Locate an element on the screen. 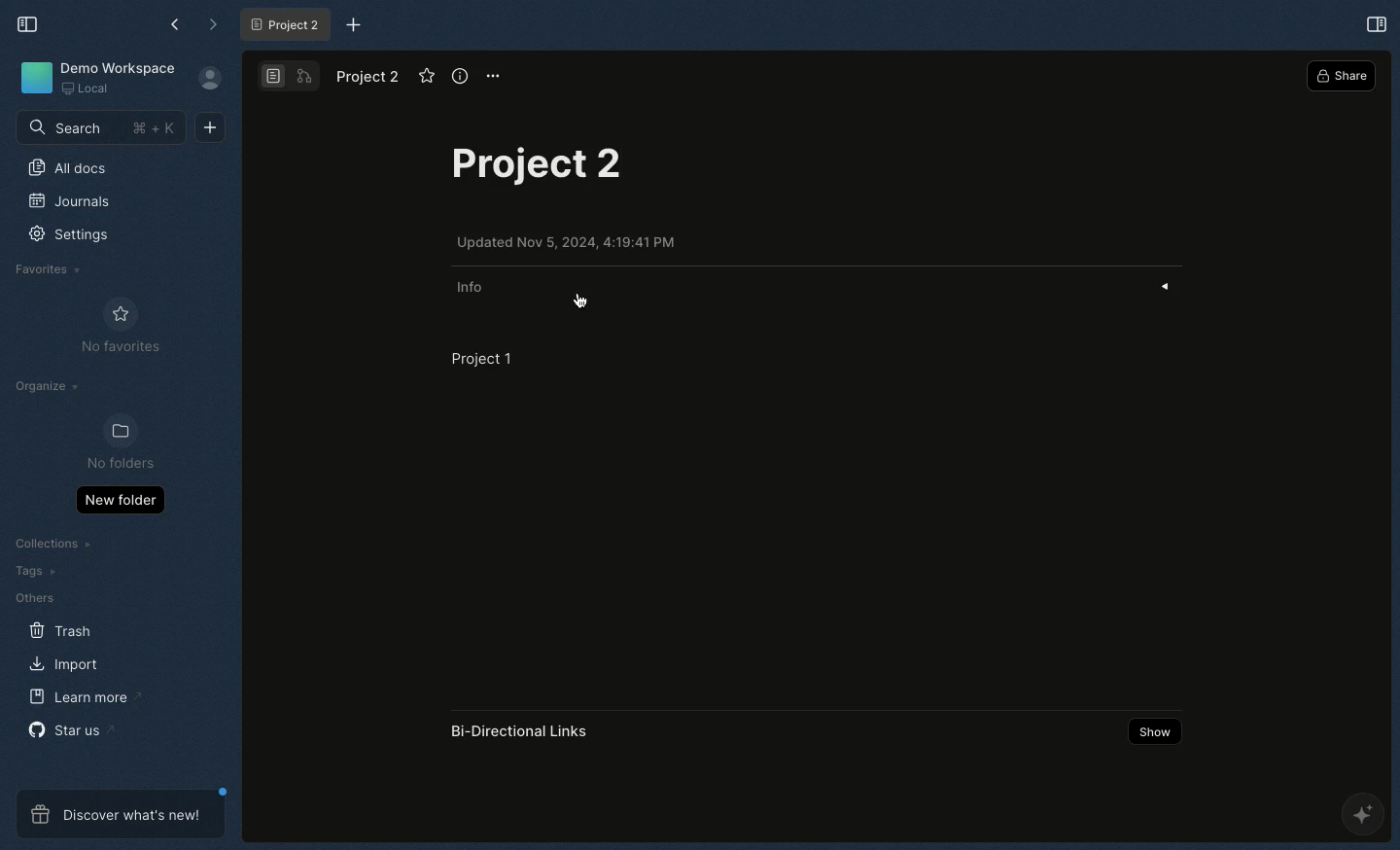 This screenshot has height=850, width=1400. Settings is located at coordinates (67, 236).